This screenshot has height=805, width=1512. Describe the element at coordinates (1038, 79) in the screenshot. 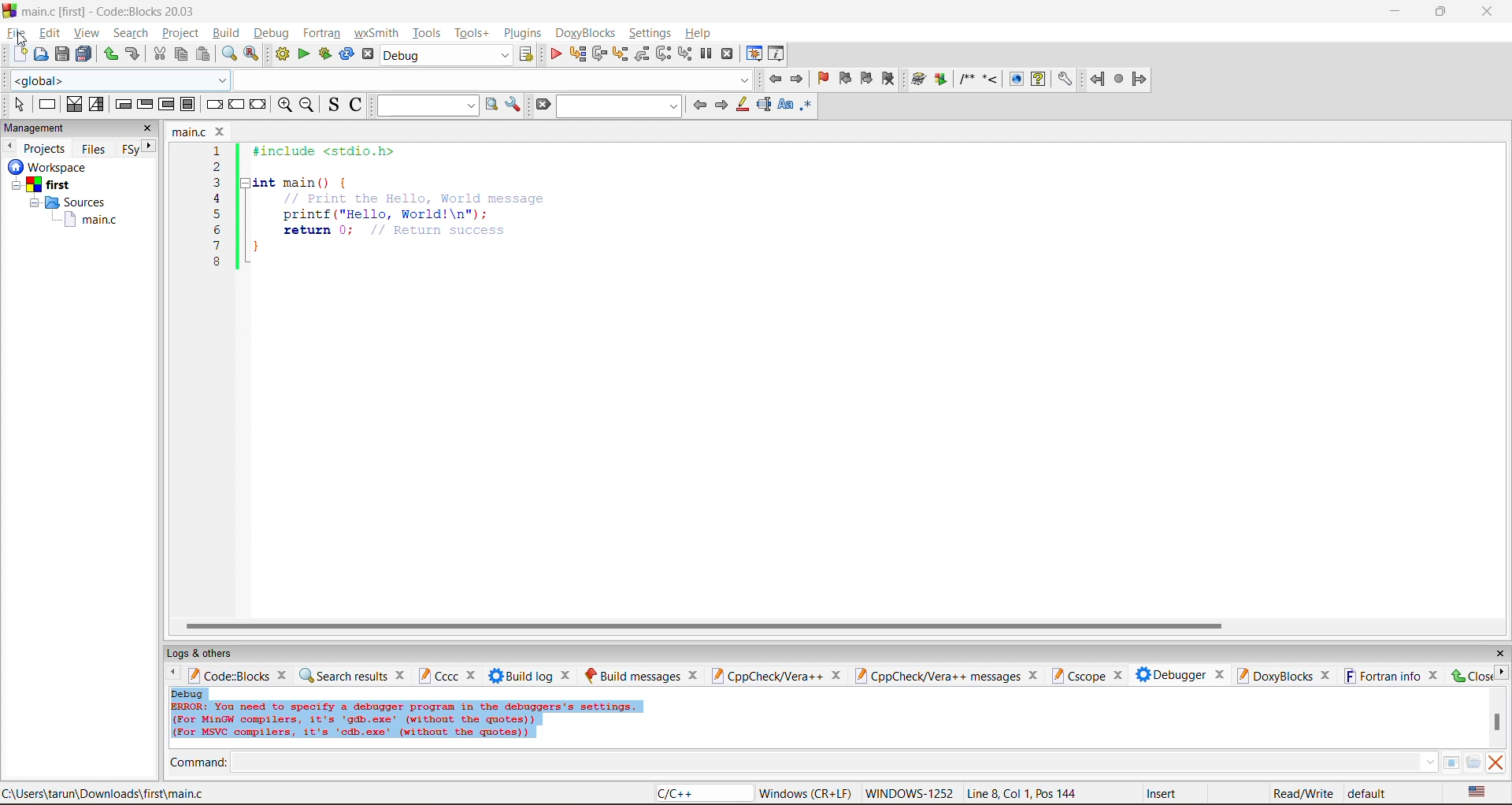

I see `help` at that location.